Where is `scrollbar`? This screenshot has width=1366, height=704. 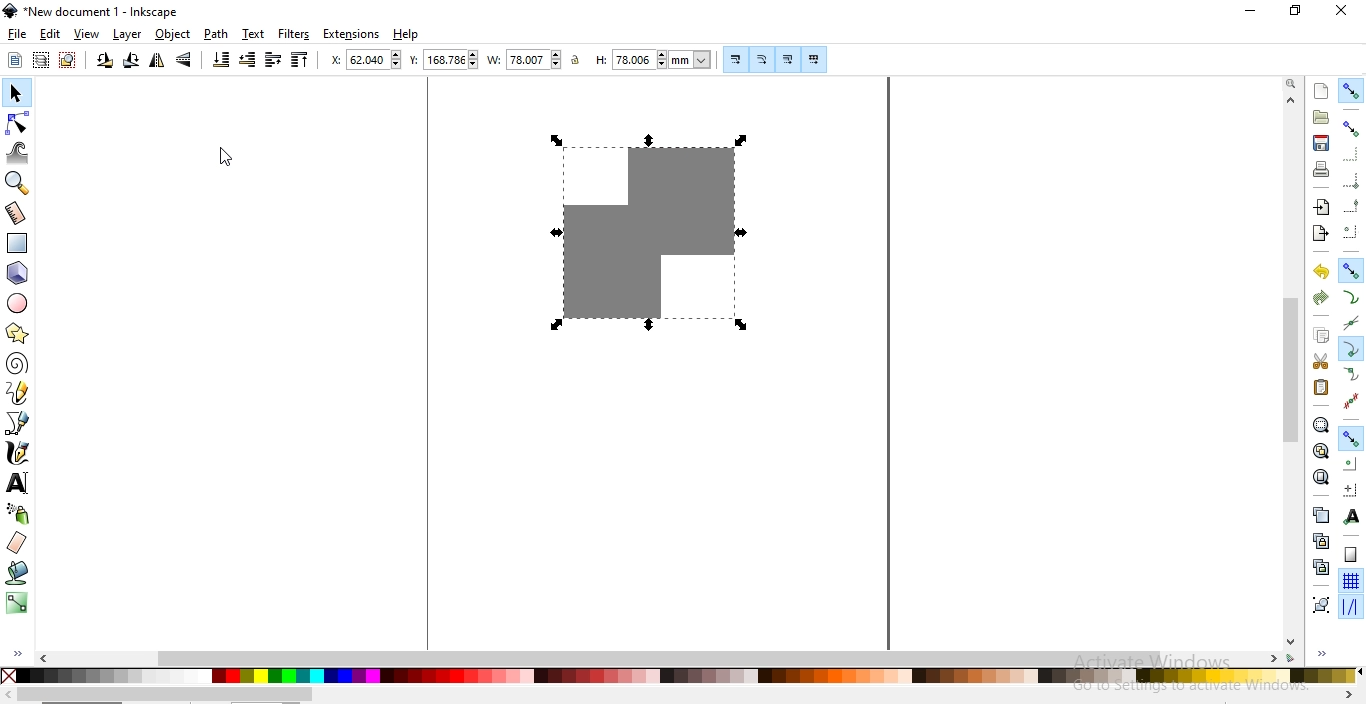
scrollbar is located at coordinates (1292, 369).